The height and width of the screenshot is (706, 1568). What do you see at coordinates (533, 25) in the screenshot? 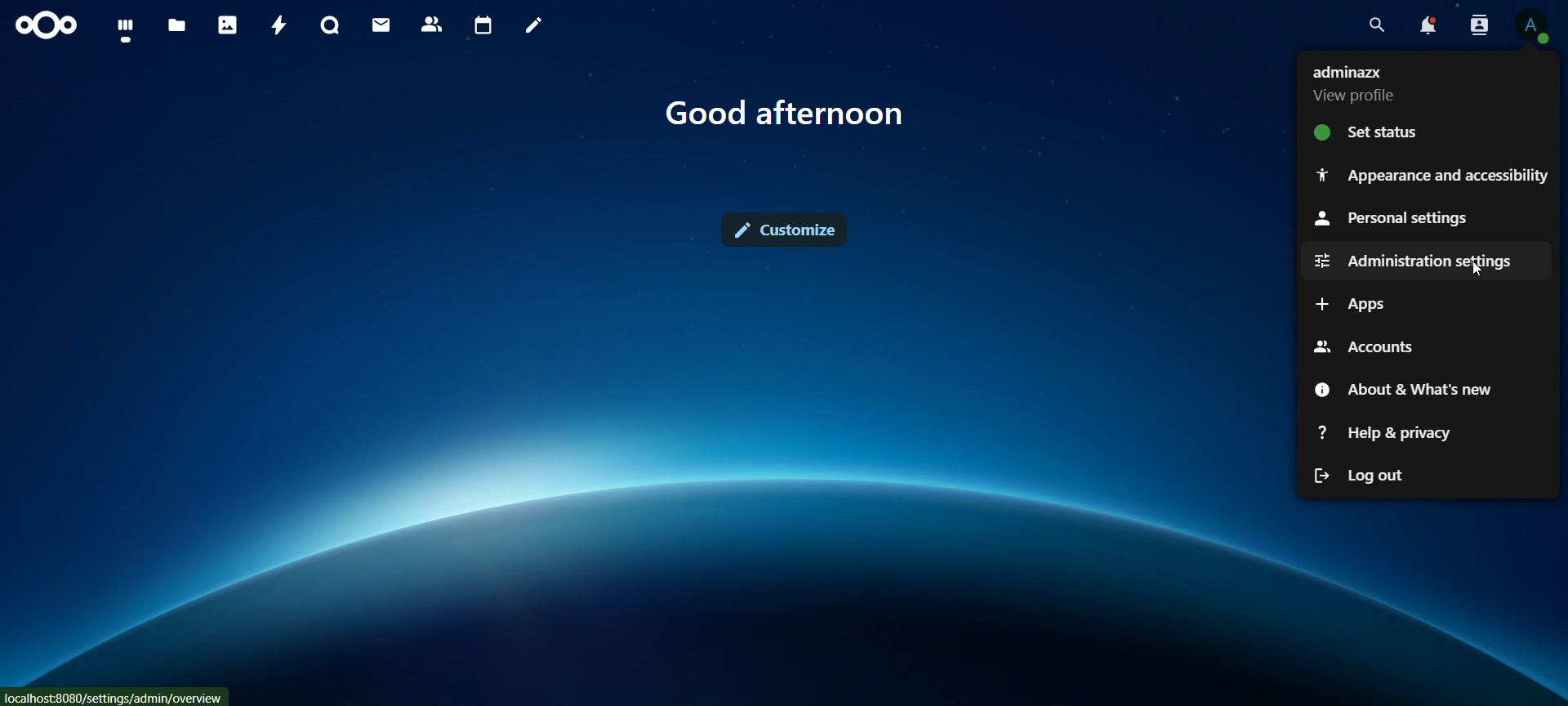
I see `notes` at bounding box center [533, 25].